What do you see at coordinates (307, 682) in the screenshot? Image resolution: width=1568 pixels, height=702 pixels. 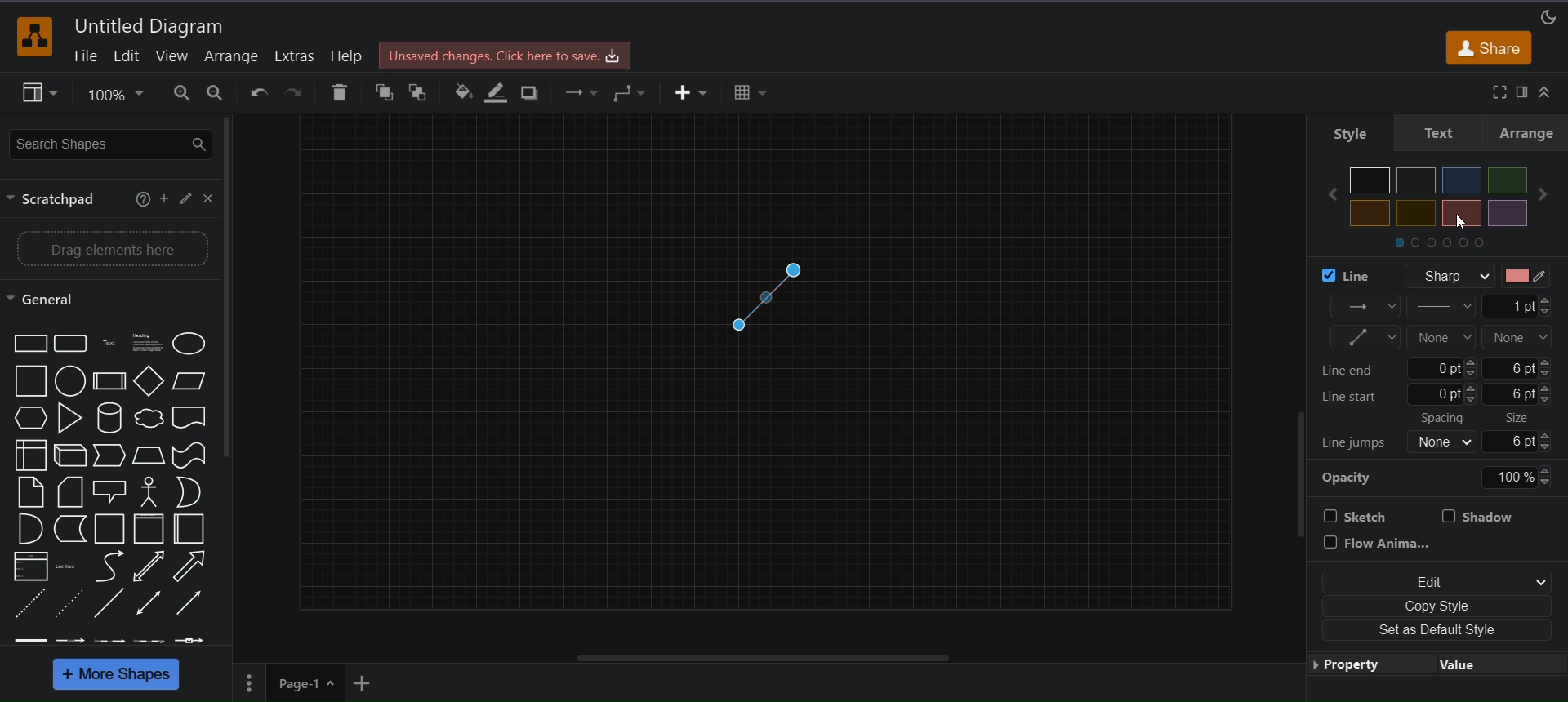 I see `page 1` at bounding box center [307, 682].